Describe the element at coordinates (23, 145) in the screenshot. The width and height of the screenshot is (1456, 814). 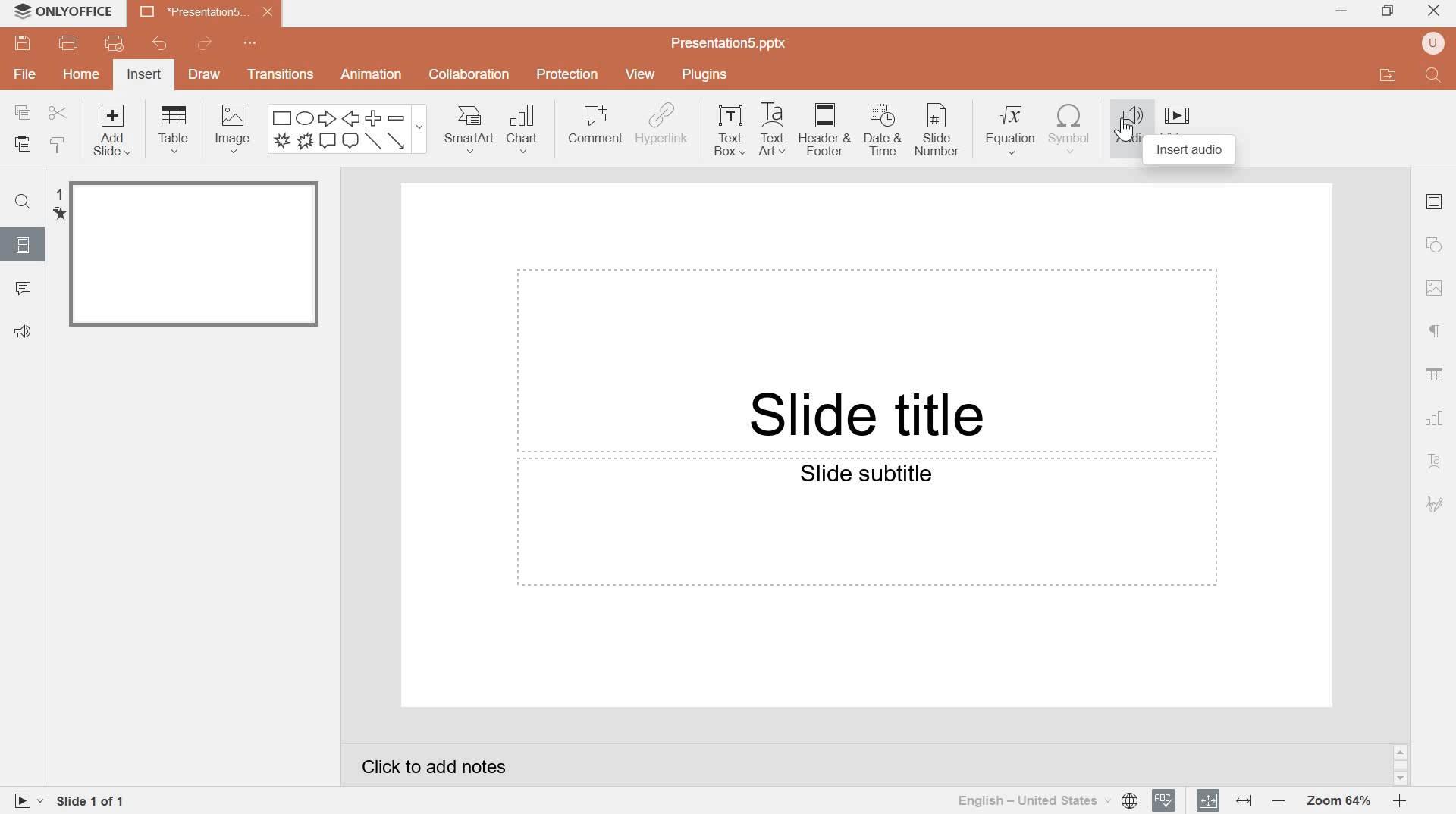
I see `paste` at that location.